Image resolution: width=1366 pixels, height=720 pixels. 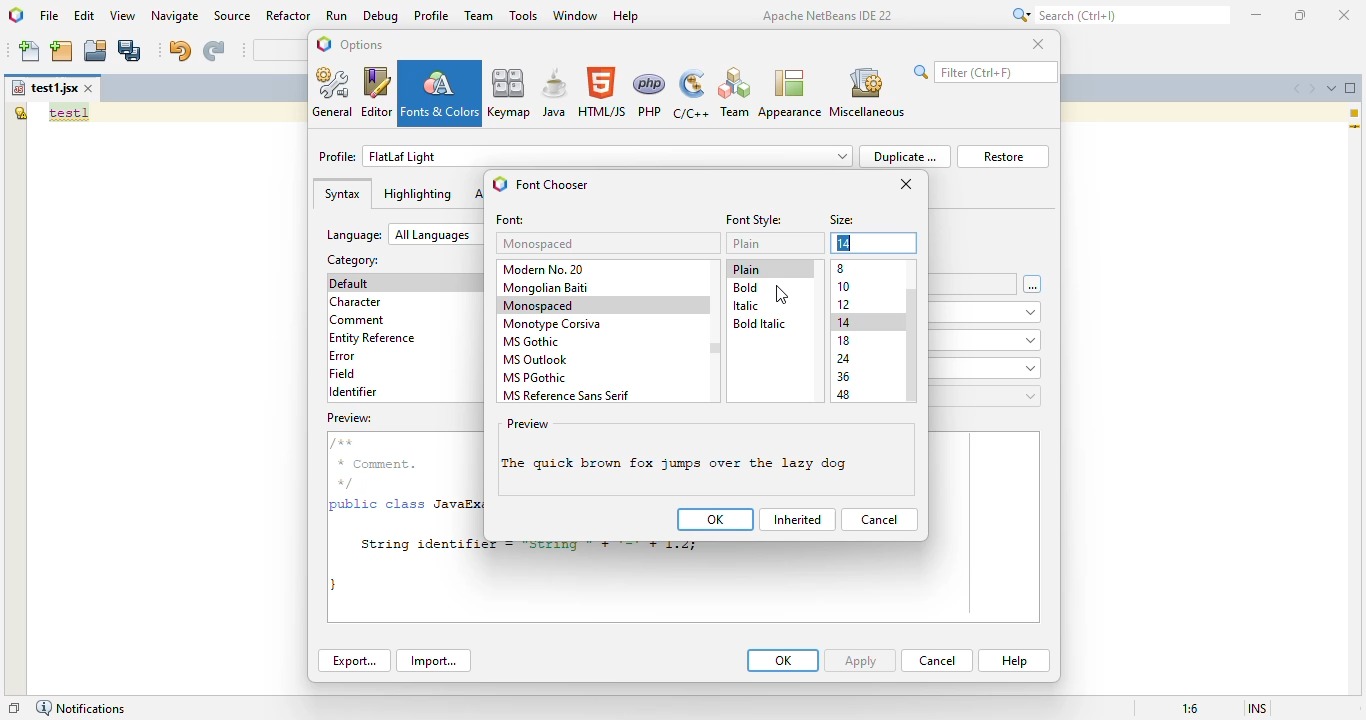 What do you see at coordinates (907, 184) in the screenshot?
I see `close` at bounding box center [907, 184].